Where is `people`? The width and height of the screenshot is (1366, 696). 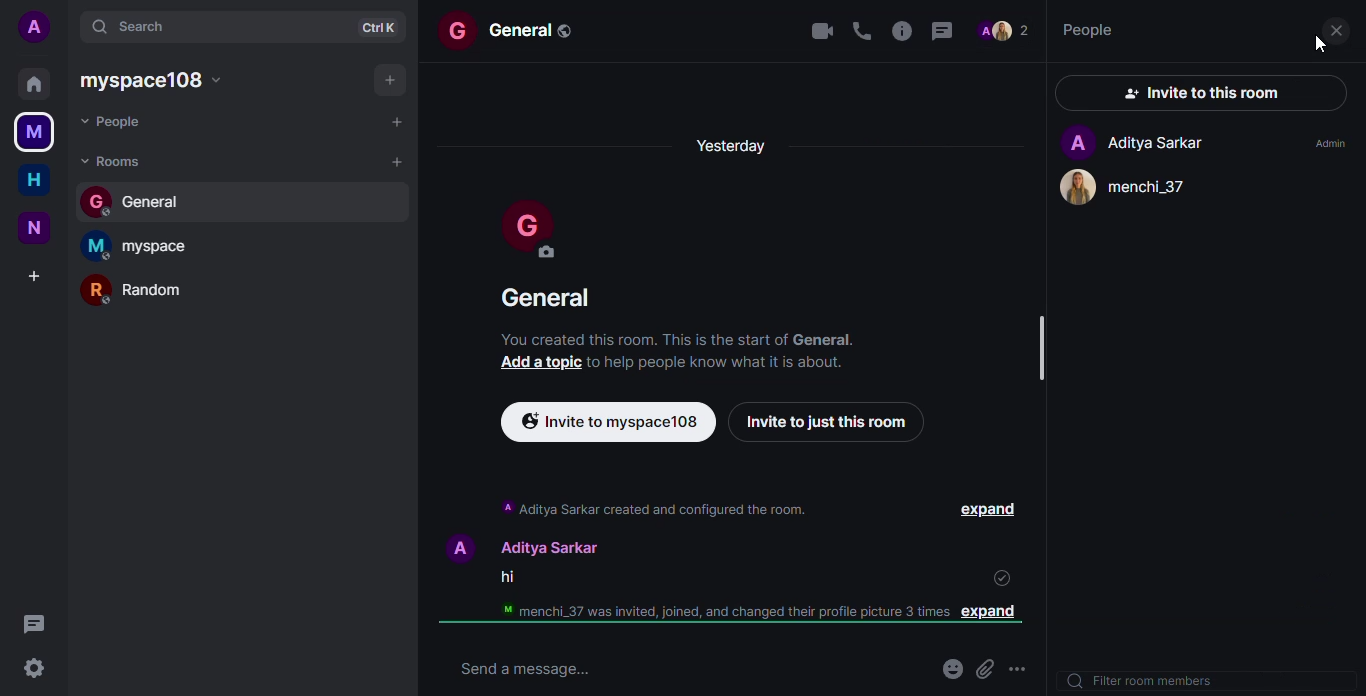
people is located at coordinates (1006, 33).